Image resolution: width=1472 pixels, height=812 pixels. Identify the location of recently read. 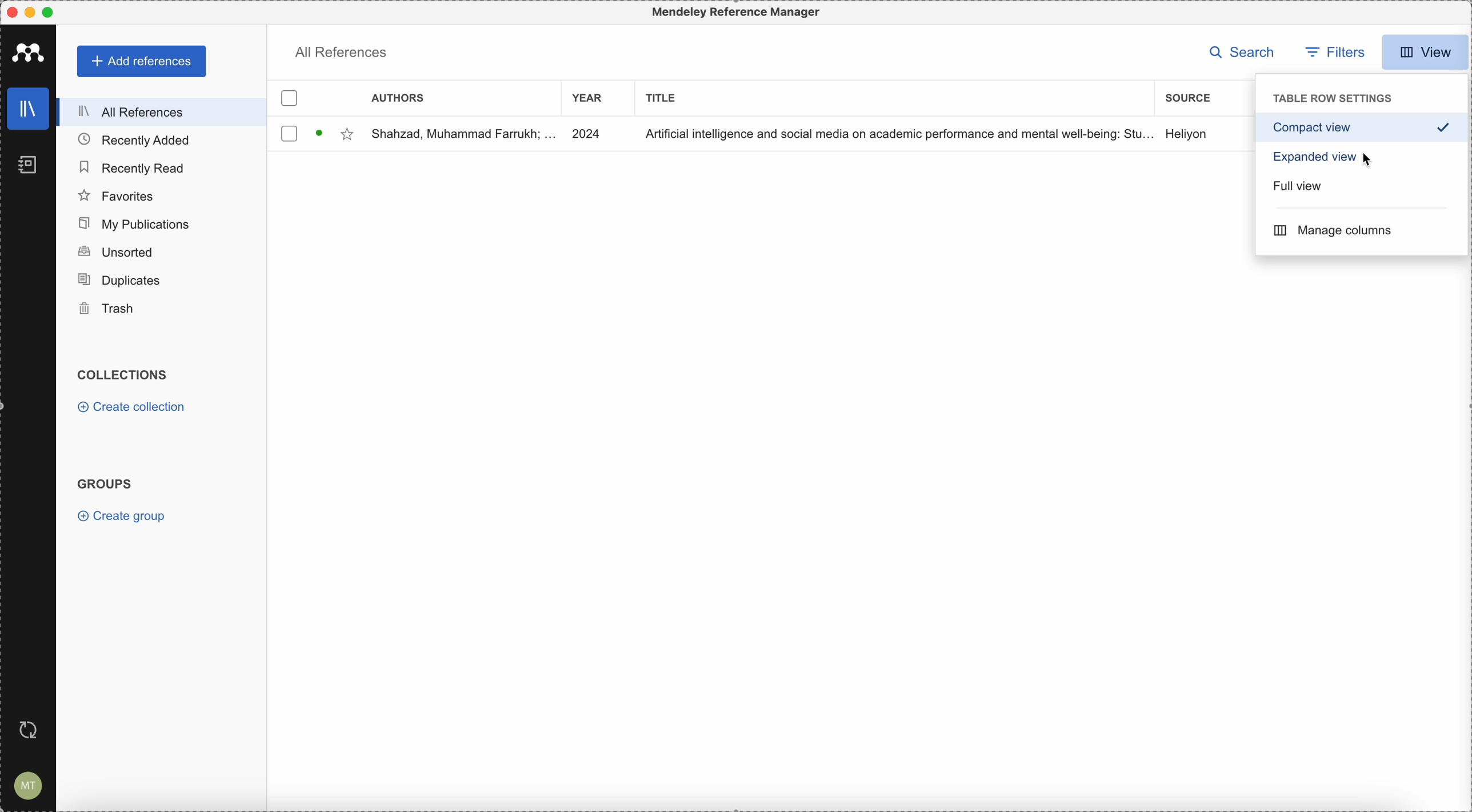
(133, 167).